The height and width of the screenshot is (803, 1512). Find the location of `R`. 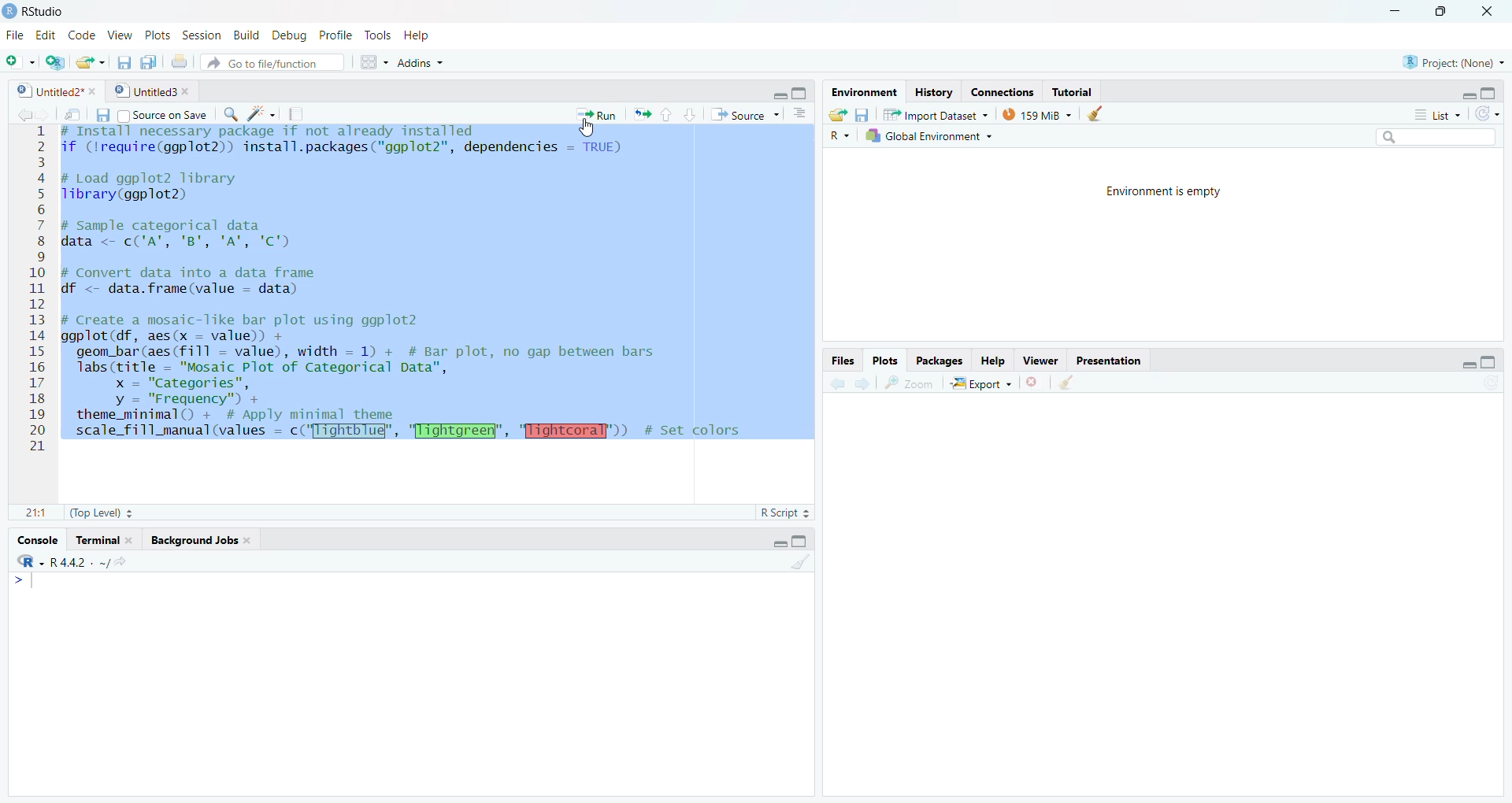

R is located at coordinates (839, 136).